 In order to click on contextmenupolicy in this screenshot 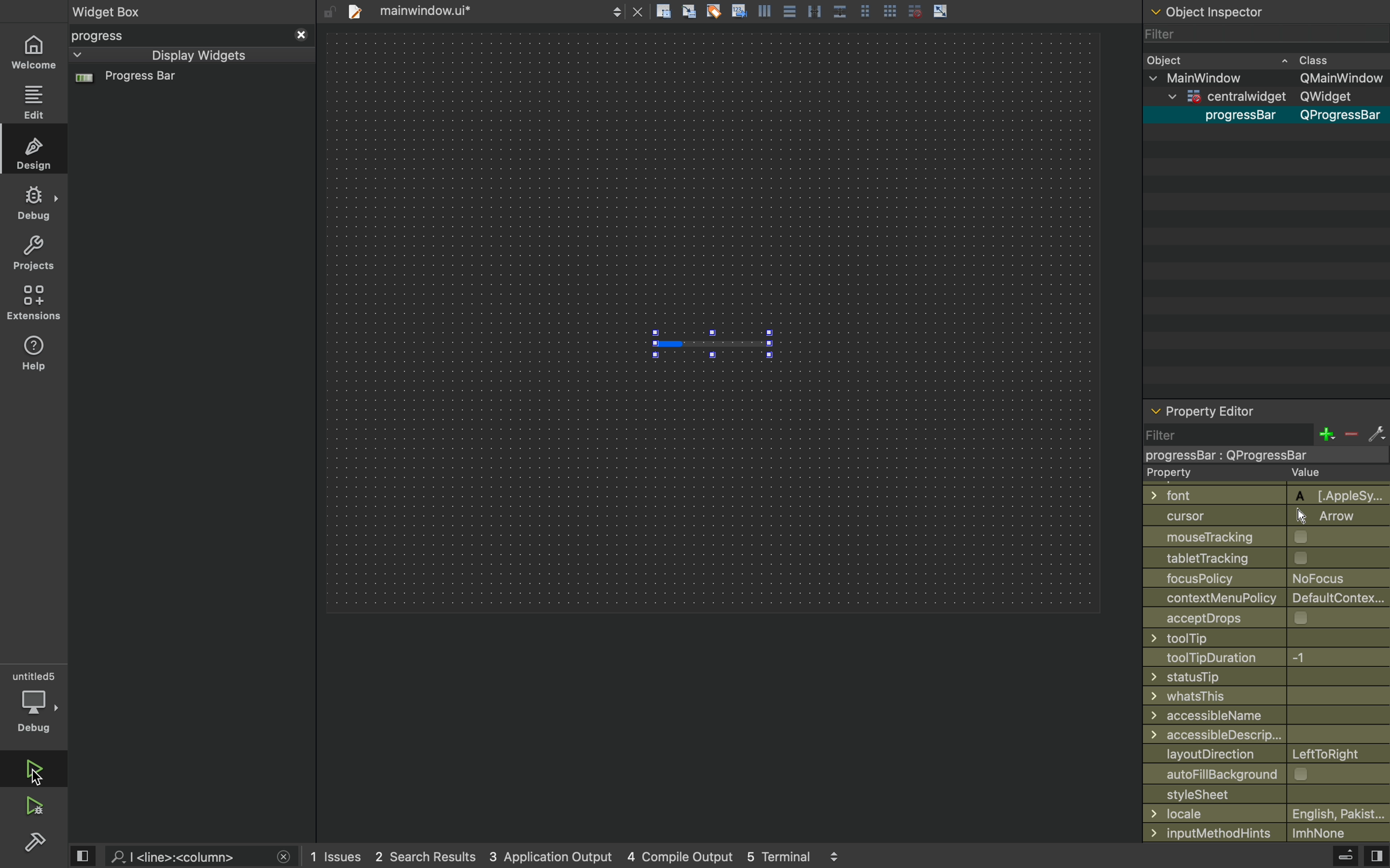, I will do `click(1268, 597)`.